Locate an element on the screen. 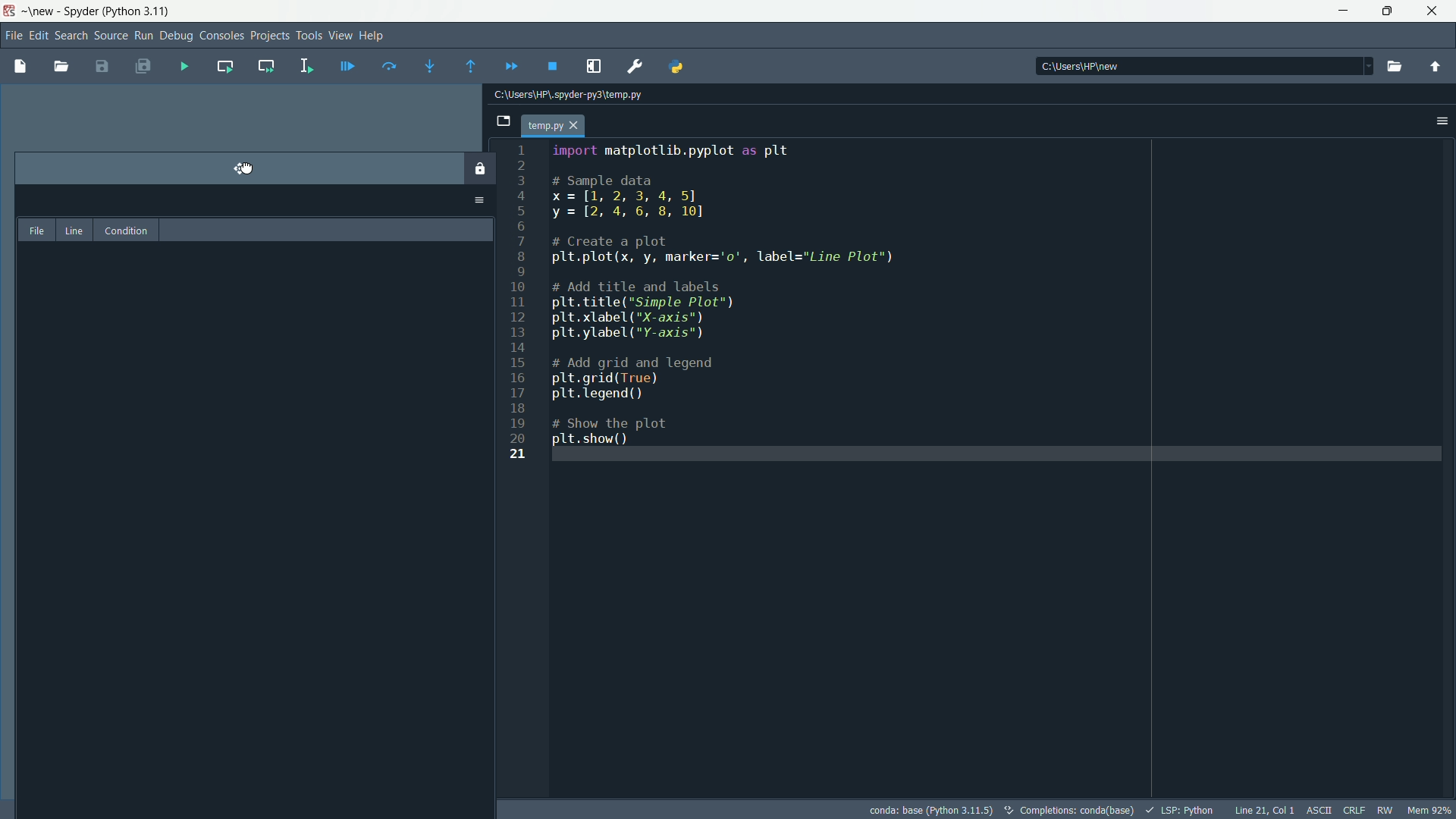 Image resolution: width=1456 pixels, height=819 pixels. ©, completions: conda(base) is located at coordinates (1068, 808).